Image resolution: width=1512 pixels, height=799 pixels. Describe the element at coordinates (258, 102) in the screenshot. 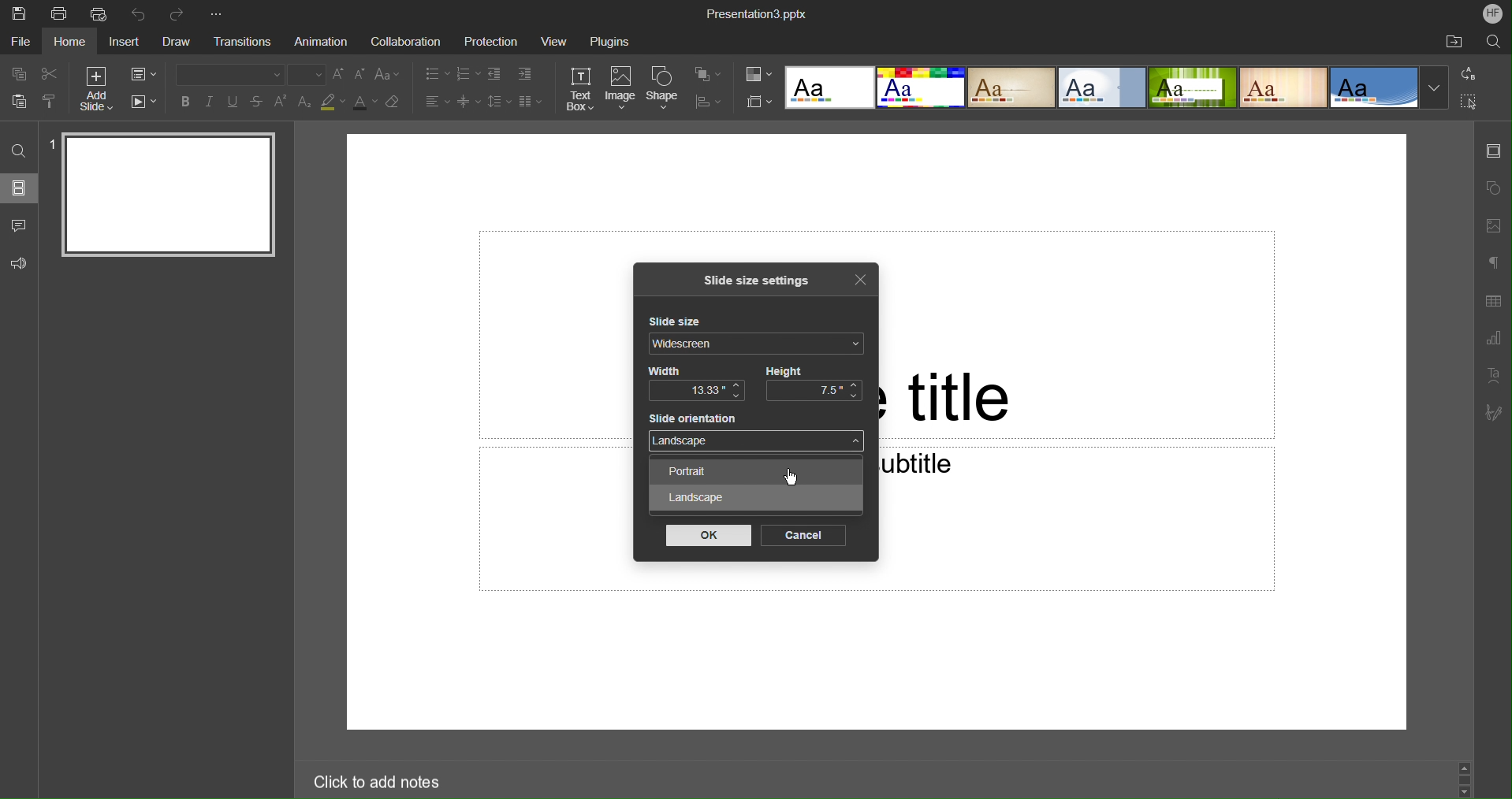

I see `Strikethrough` at that location.